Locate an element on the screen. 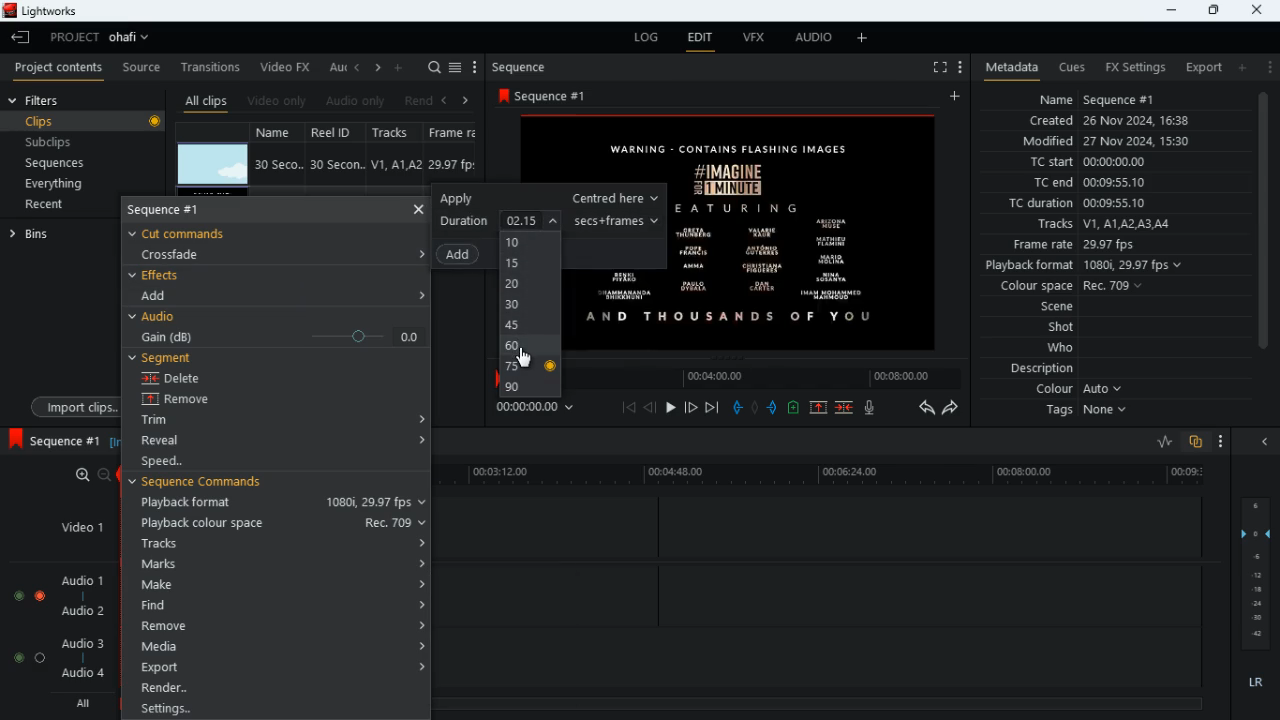  Settings is located at coordinates (278, 707).